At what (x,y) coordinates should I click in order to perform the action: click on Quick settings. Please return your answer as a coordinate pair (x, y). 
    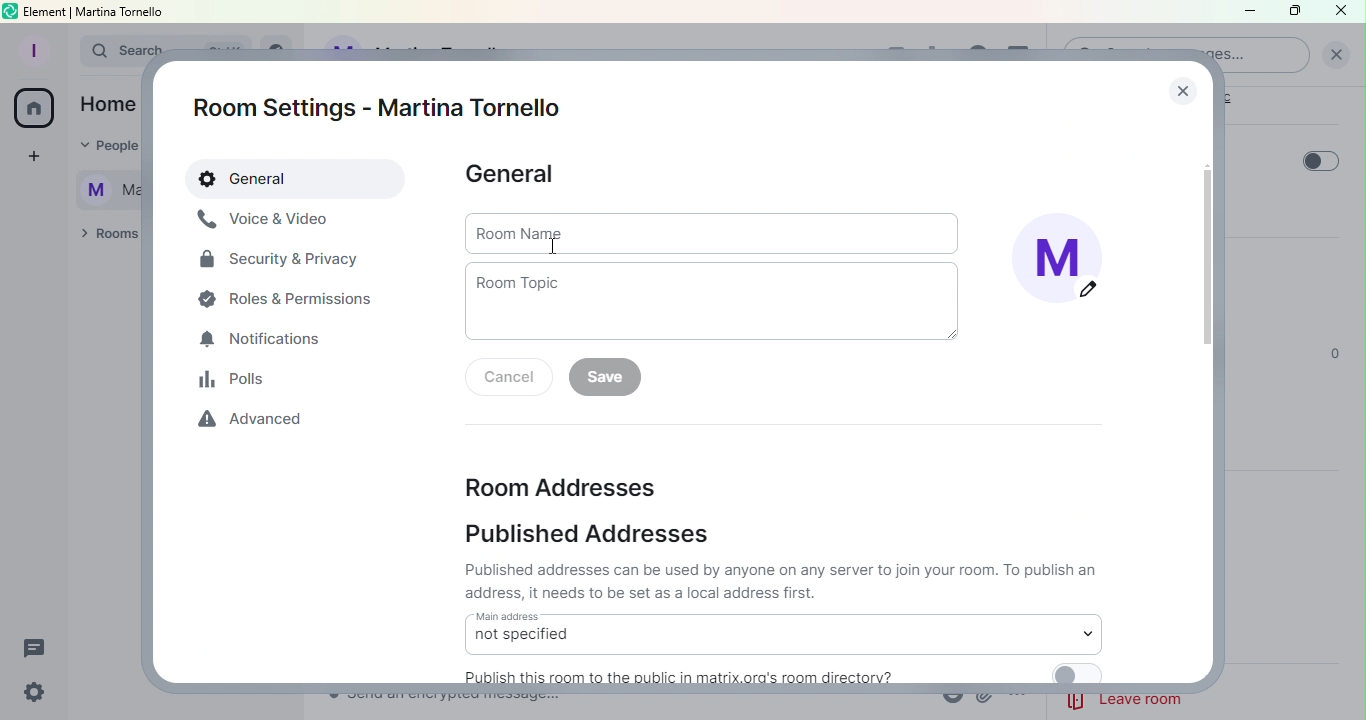
    Looking at the image, I should click on (31, 694).